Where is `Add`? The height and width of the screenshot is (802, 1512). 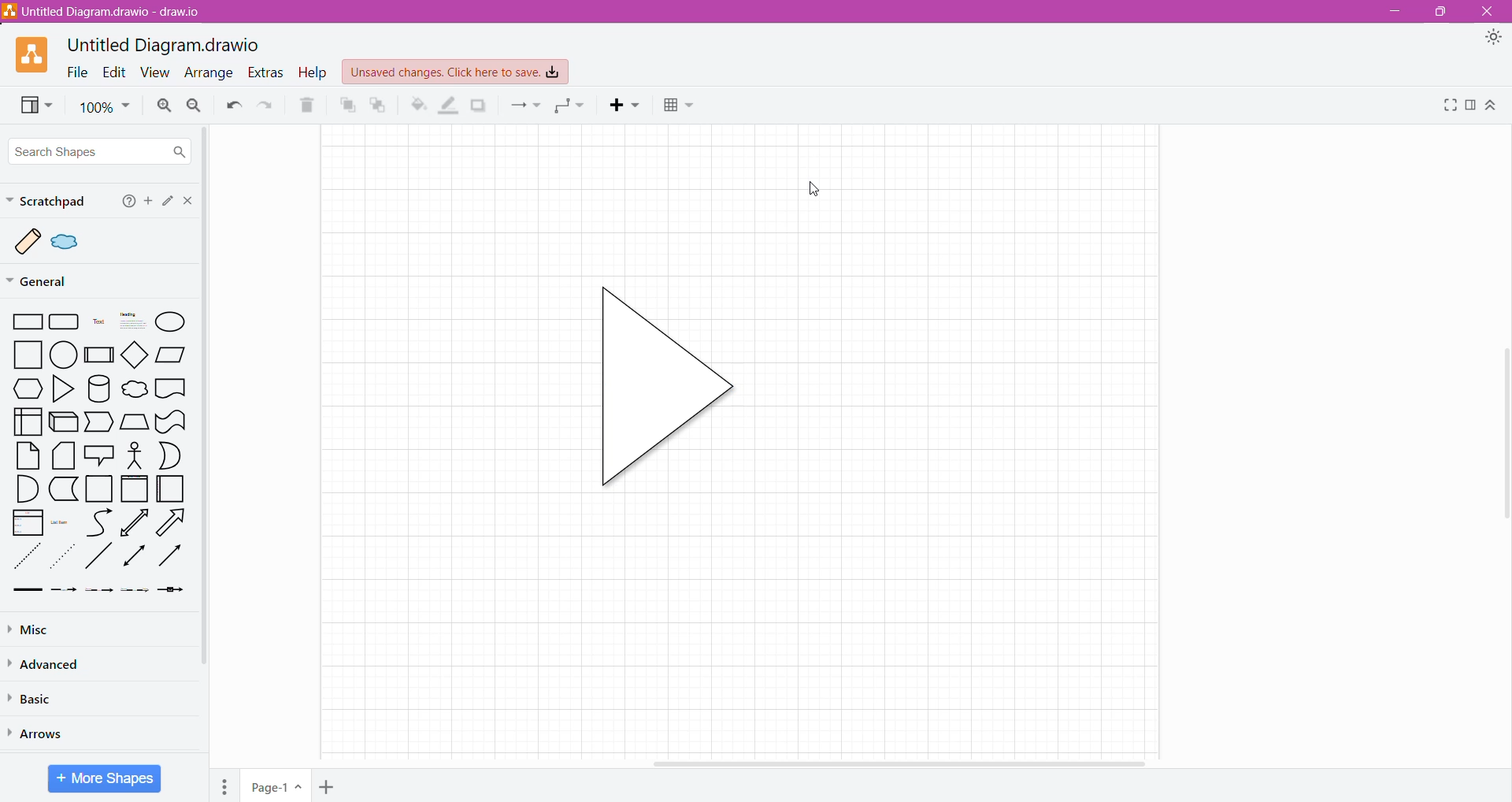
Add is located at coordinates (147, 202).